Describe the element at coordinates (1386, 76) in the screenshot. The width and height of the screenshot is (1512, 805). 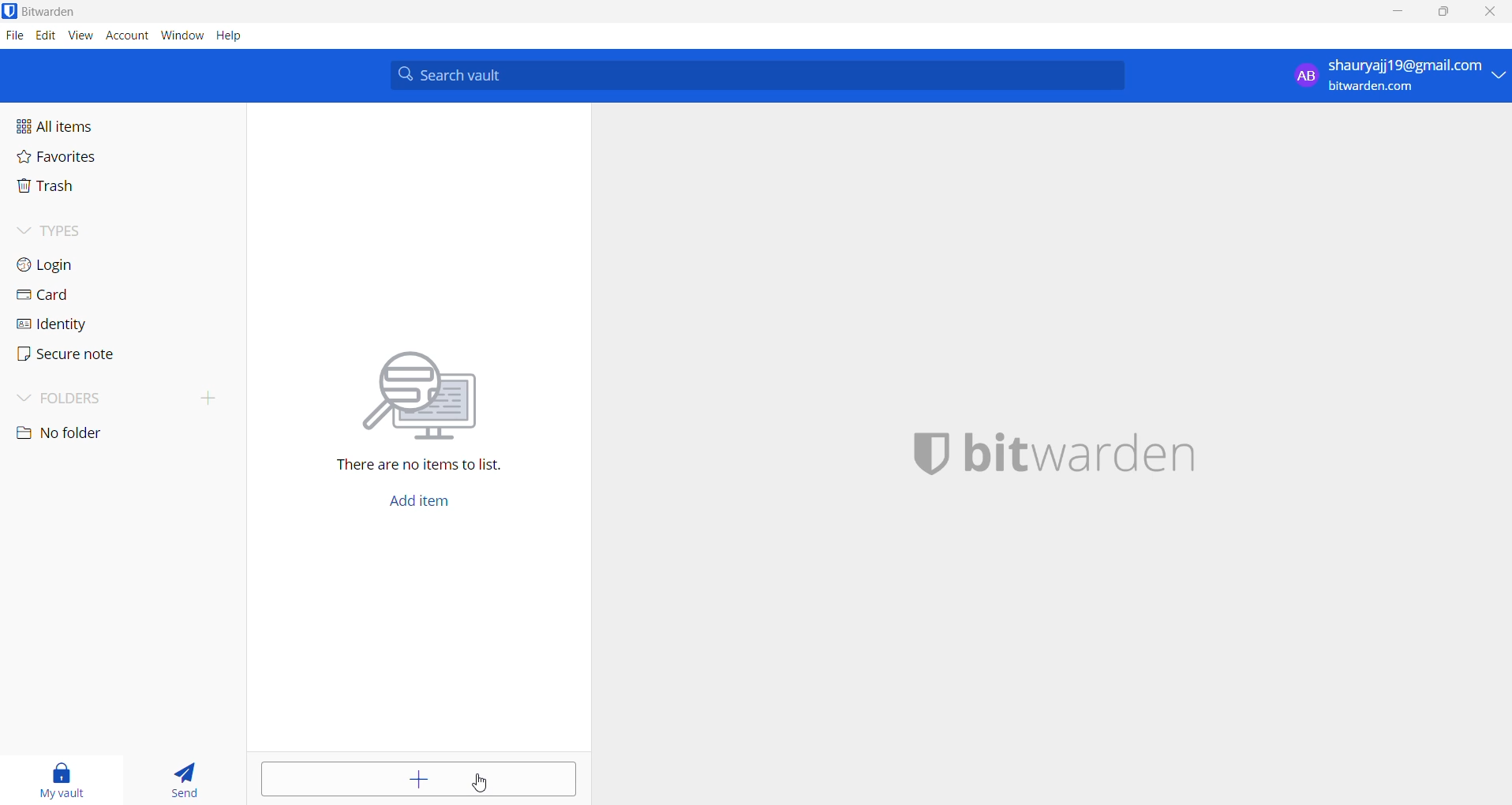
I see `login email` at that location.